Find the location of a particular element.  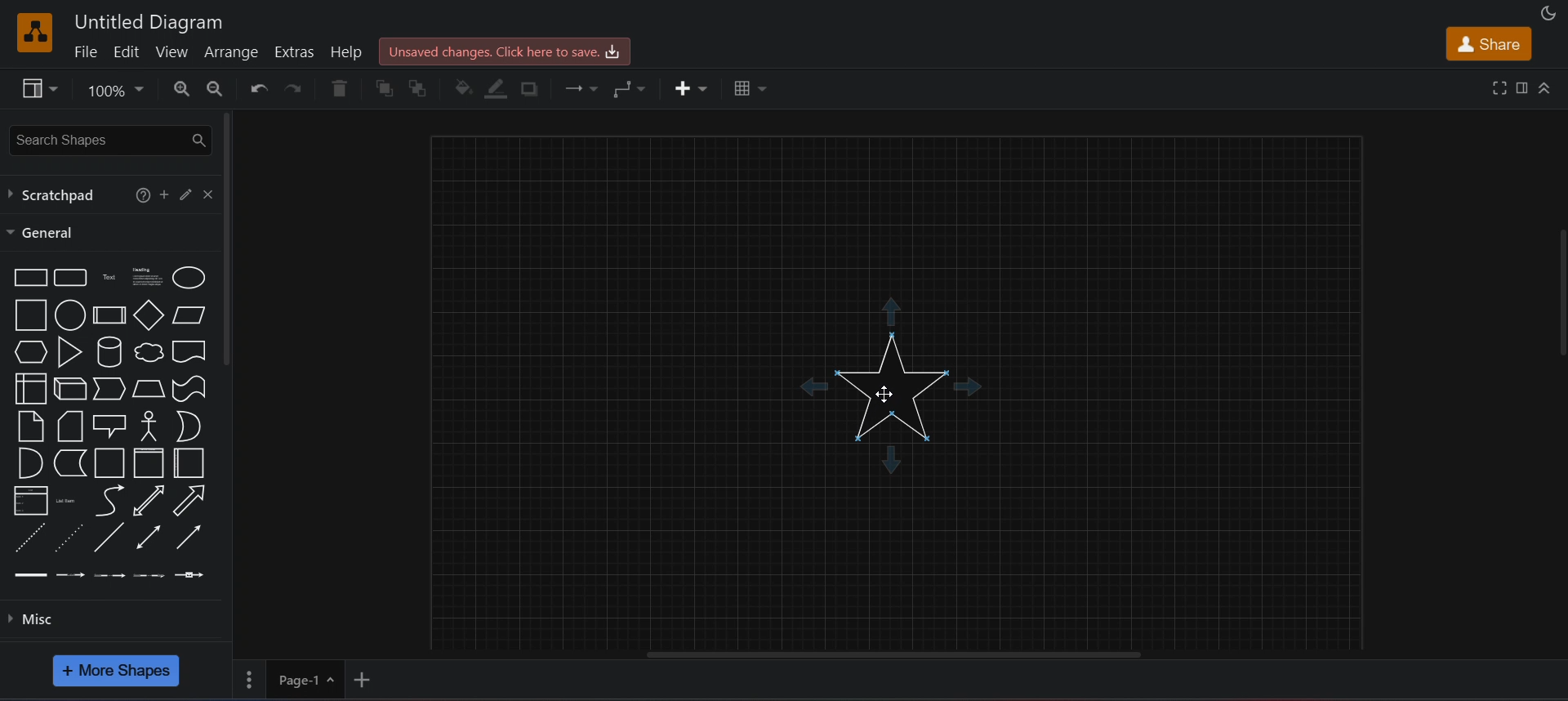

arrow is located at coordinates (193, 501).